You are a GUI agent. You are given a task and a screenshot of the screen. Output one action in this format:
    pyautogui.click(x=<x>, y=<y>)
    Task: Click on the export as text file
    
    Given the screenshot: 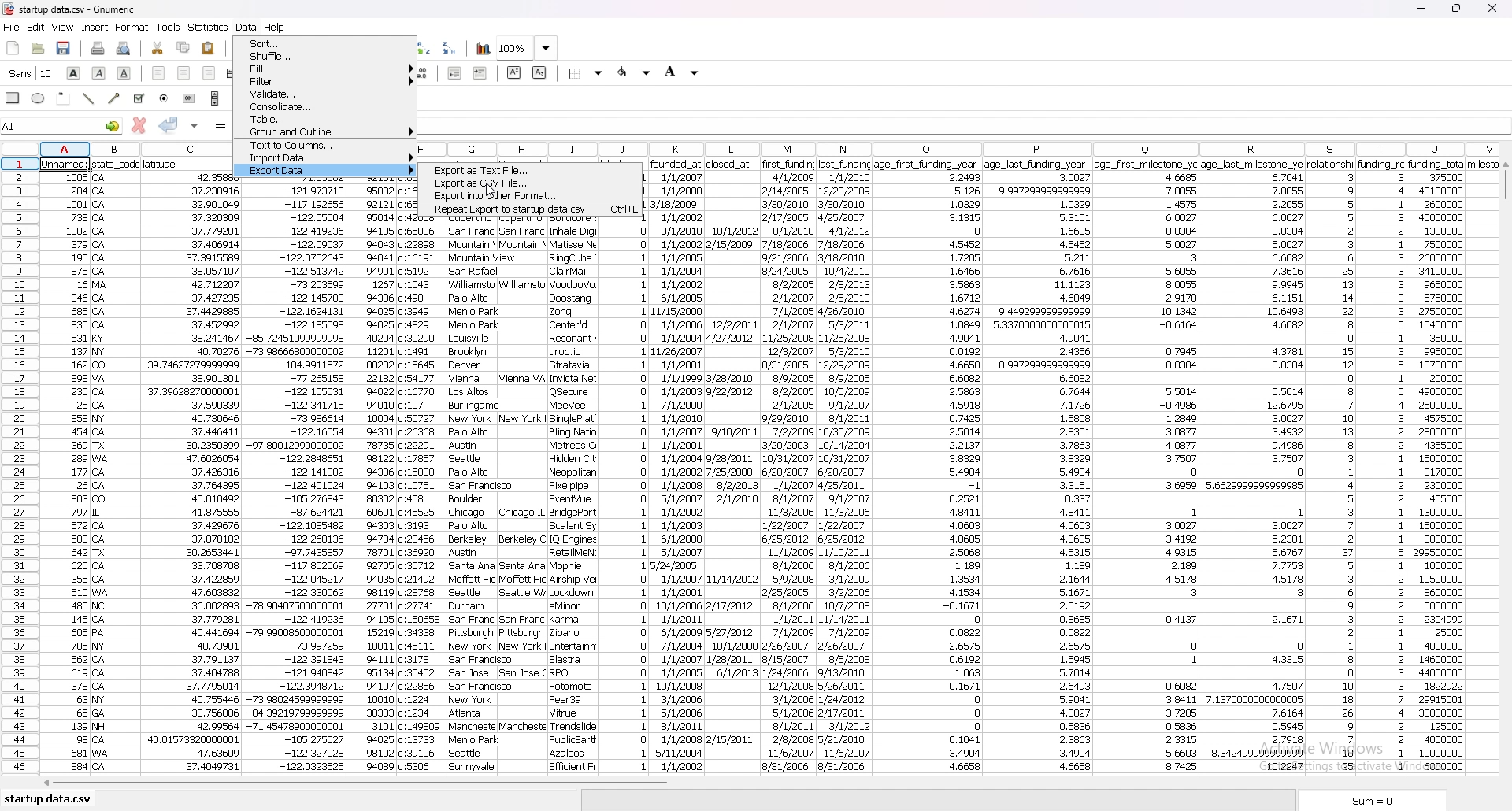 What is the action you would take?
    pyautogui.click(x=532, y=171)
    